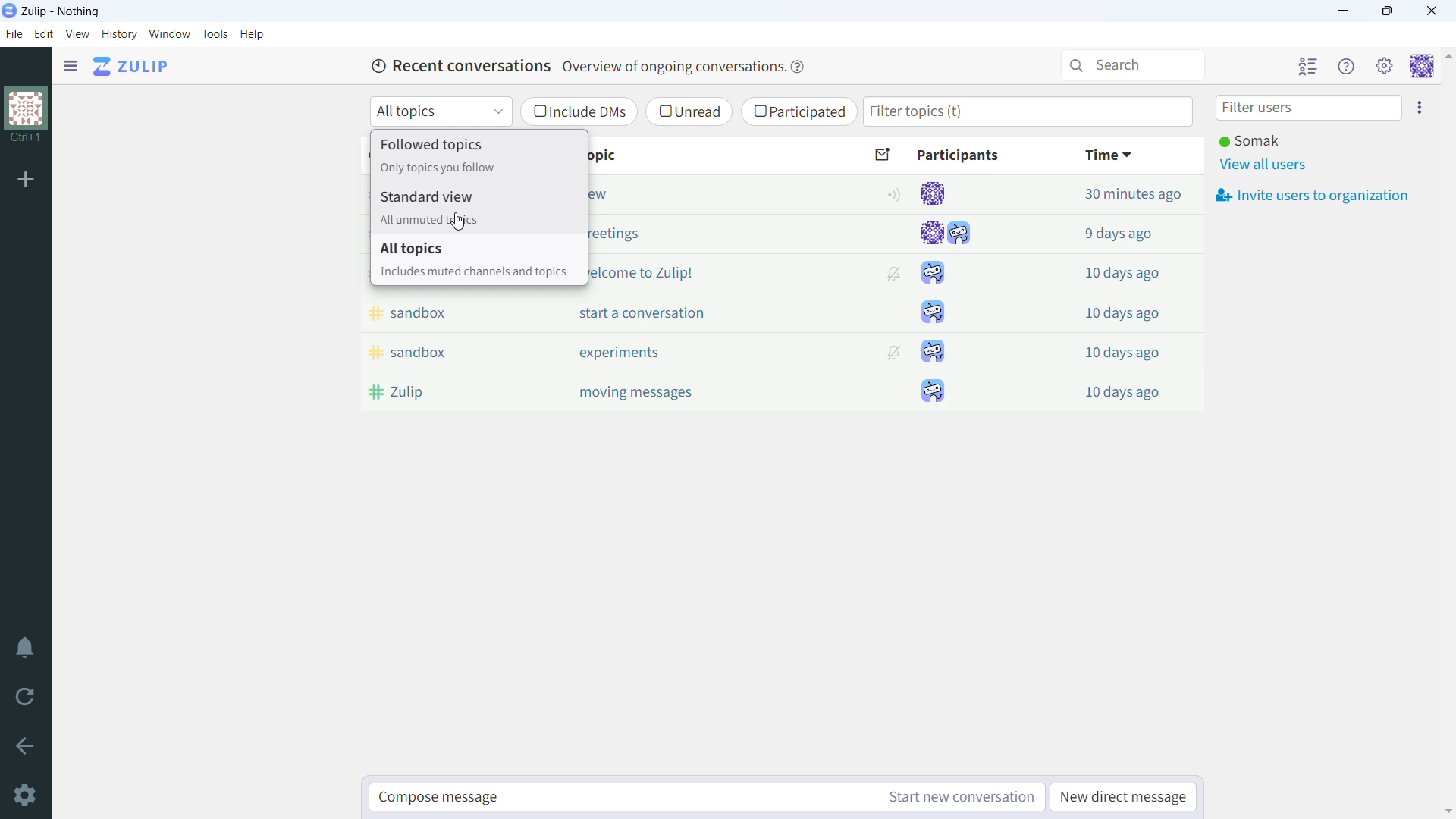 The height and width of the screenshot is (819, 1456). Describe the element at coordinates (1385, 65) in the screenshot. I see `main menu` at that location.